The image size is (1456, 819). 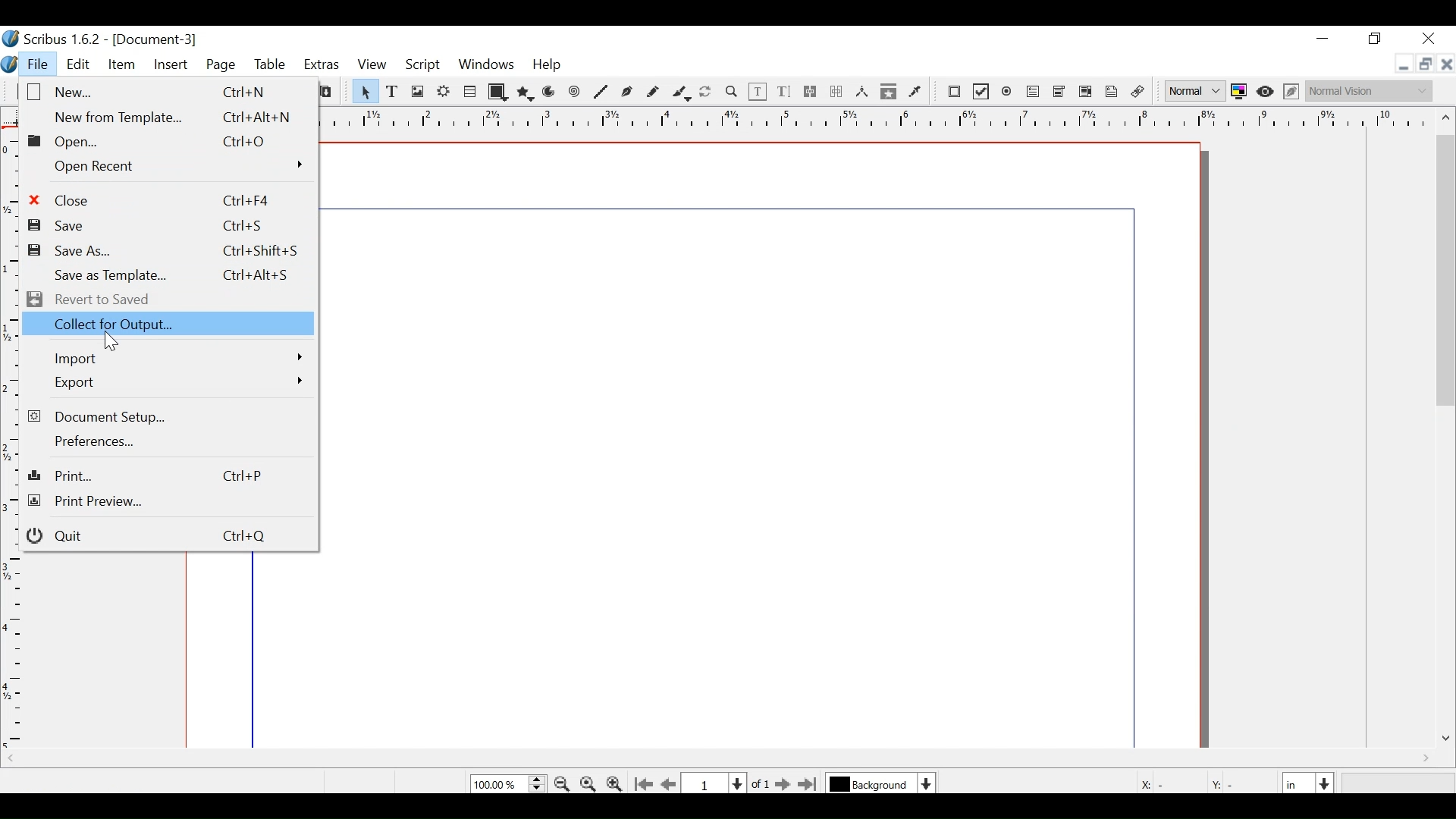 I want to click on Edit contents of frame , so click(x=758, y=92).